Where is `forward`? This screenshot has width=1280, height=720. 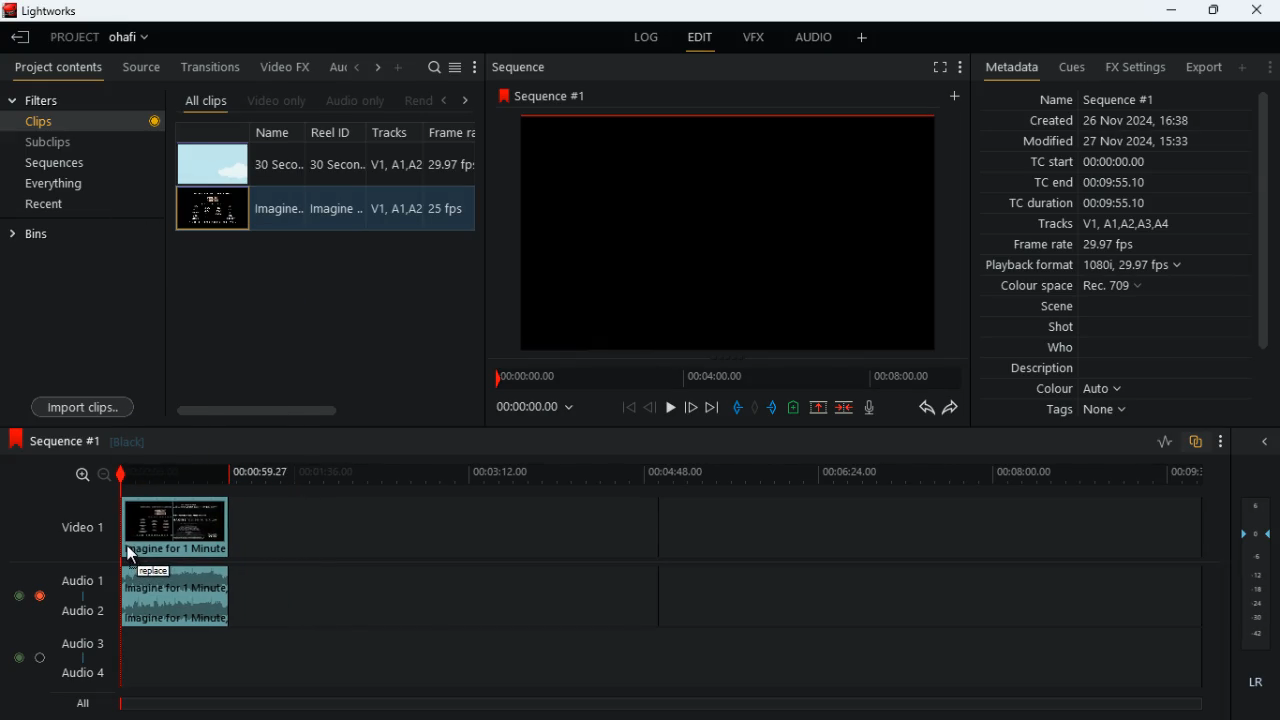
forward is located at coordinates (955, 410).